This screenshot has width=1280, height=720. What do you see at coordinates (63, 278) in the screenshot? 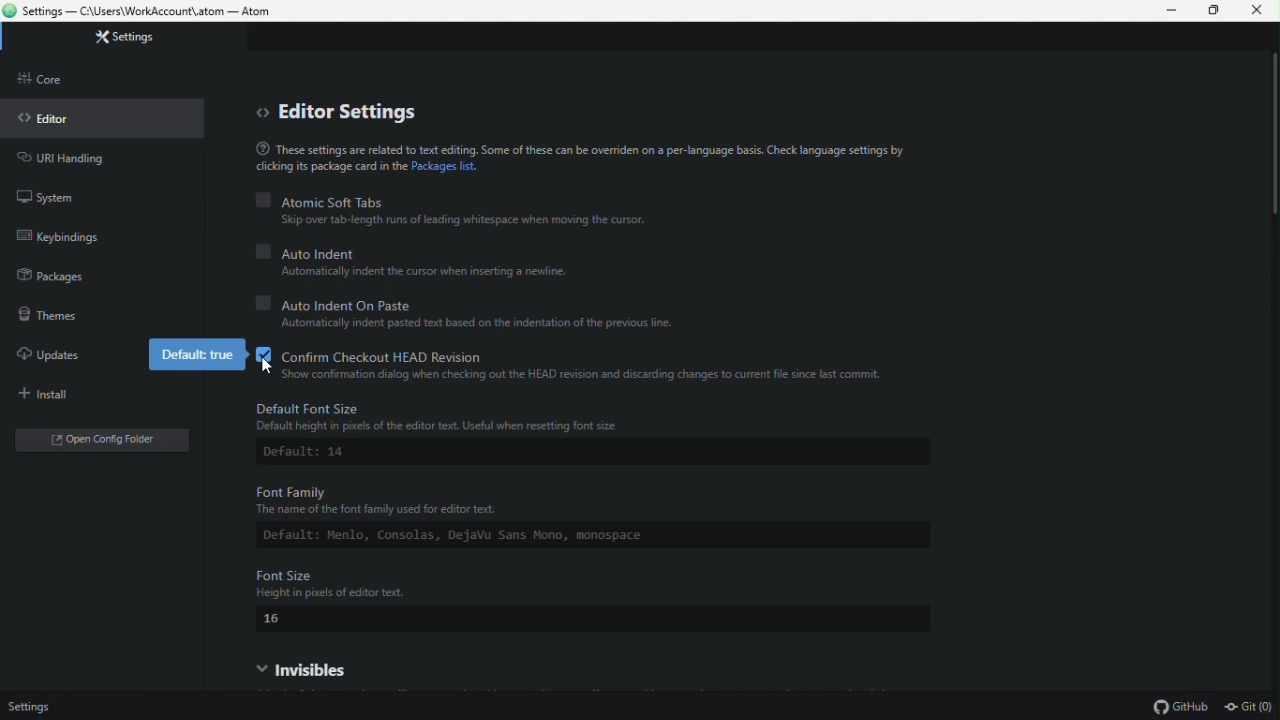
I see `packages` at bounding box center [63, 278].